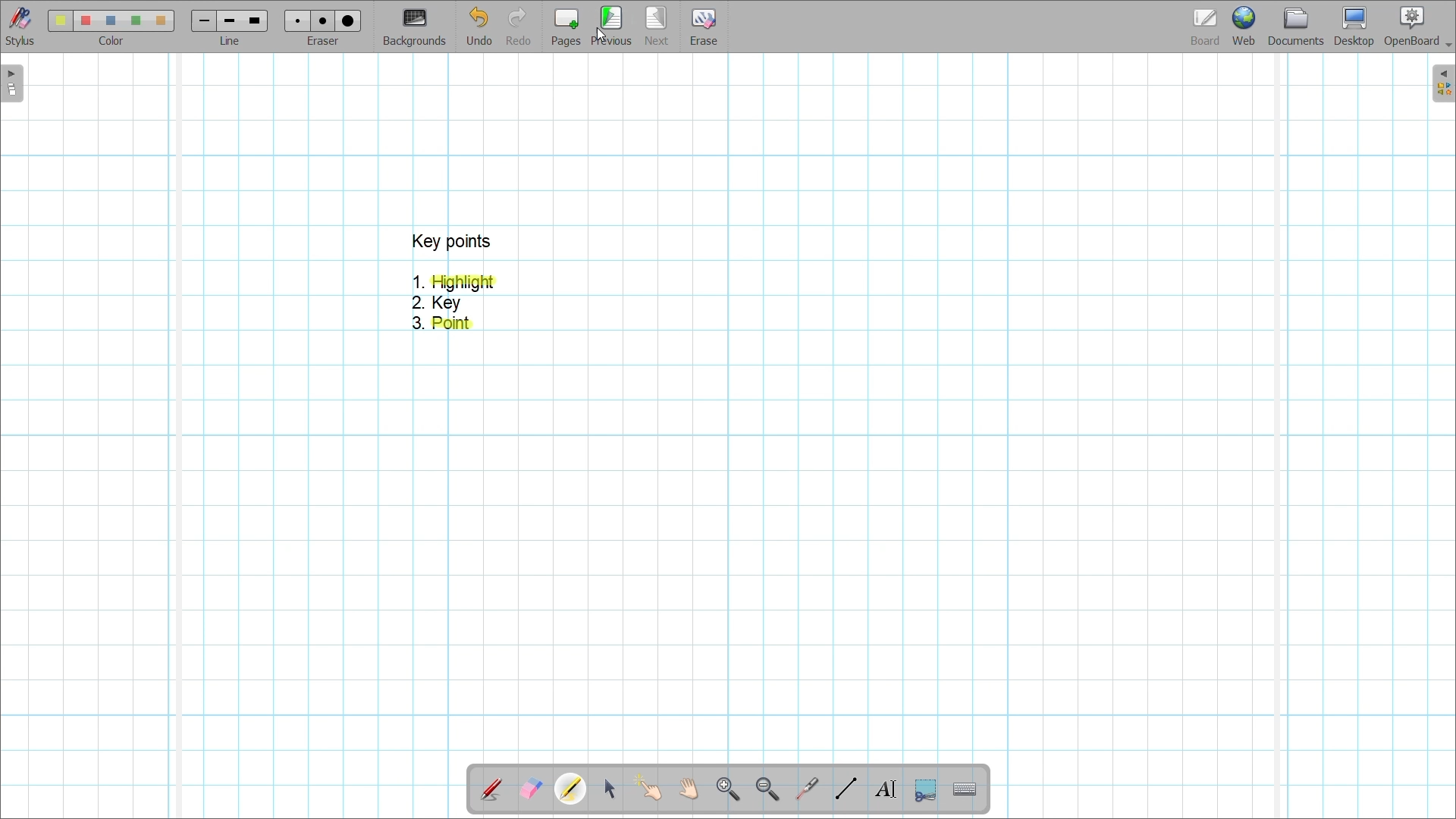 Image resolution: width=1456 pixels, height=819 pixels. What do you see at coordinates (21, 27) in the screenshot?
I see `Stylus menu at the bottom of the page` at bounding box center [21, 27].